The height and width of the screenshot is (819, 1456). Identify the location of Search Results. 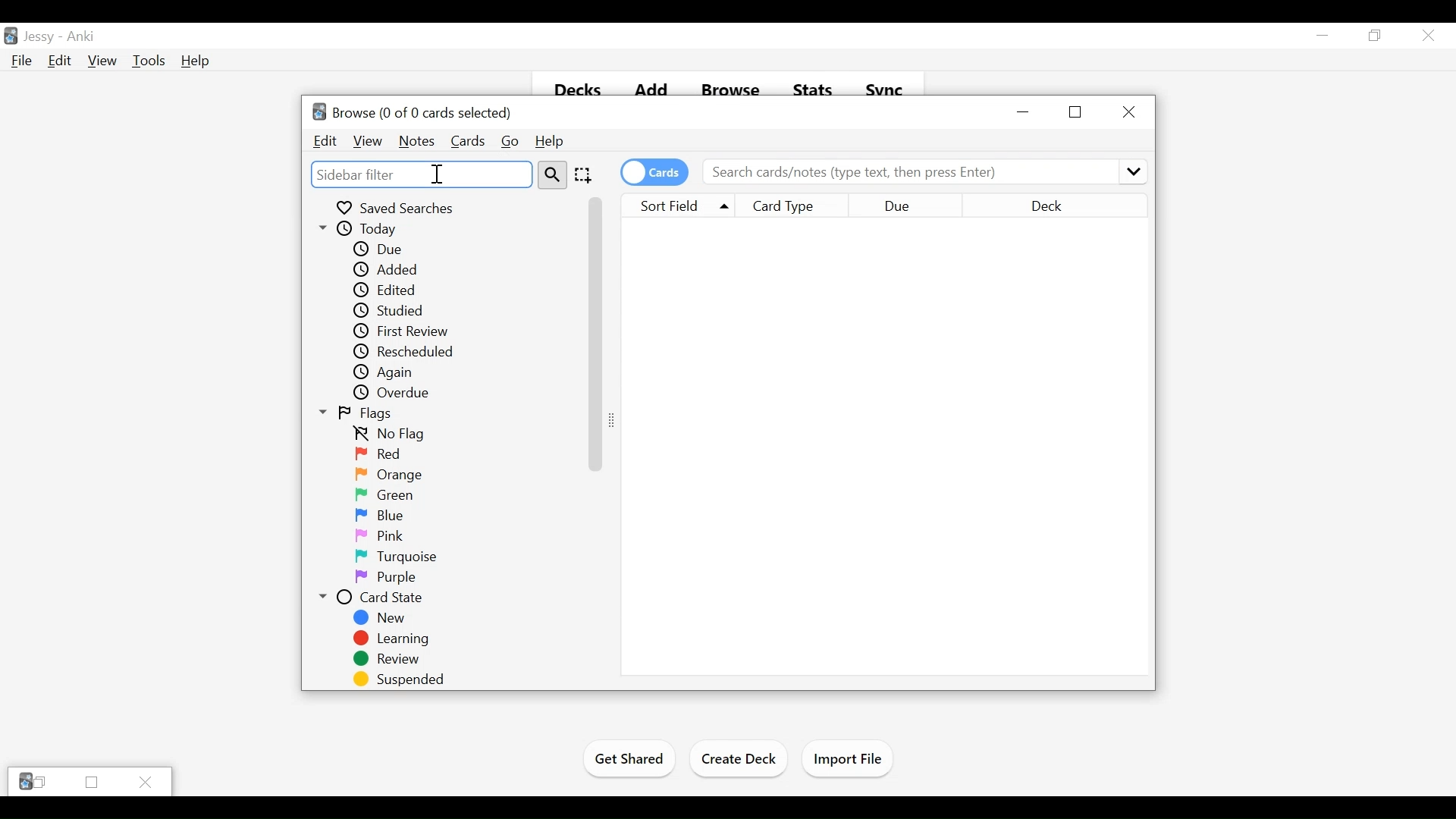
(884, 447).